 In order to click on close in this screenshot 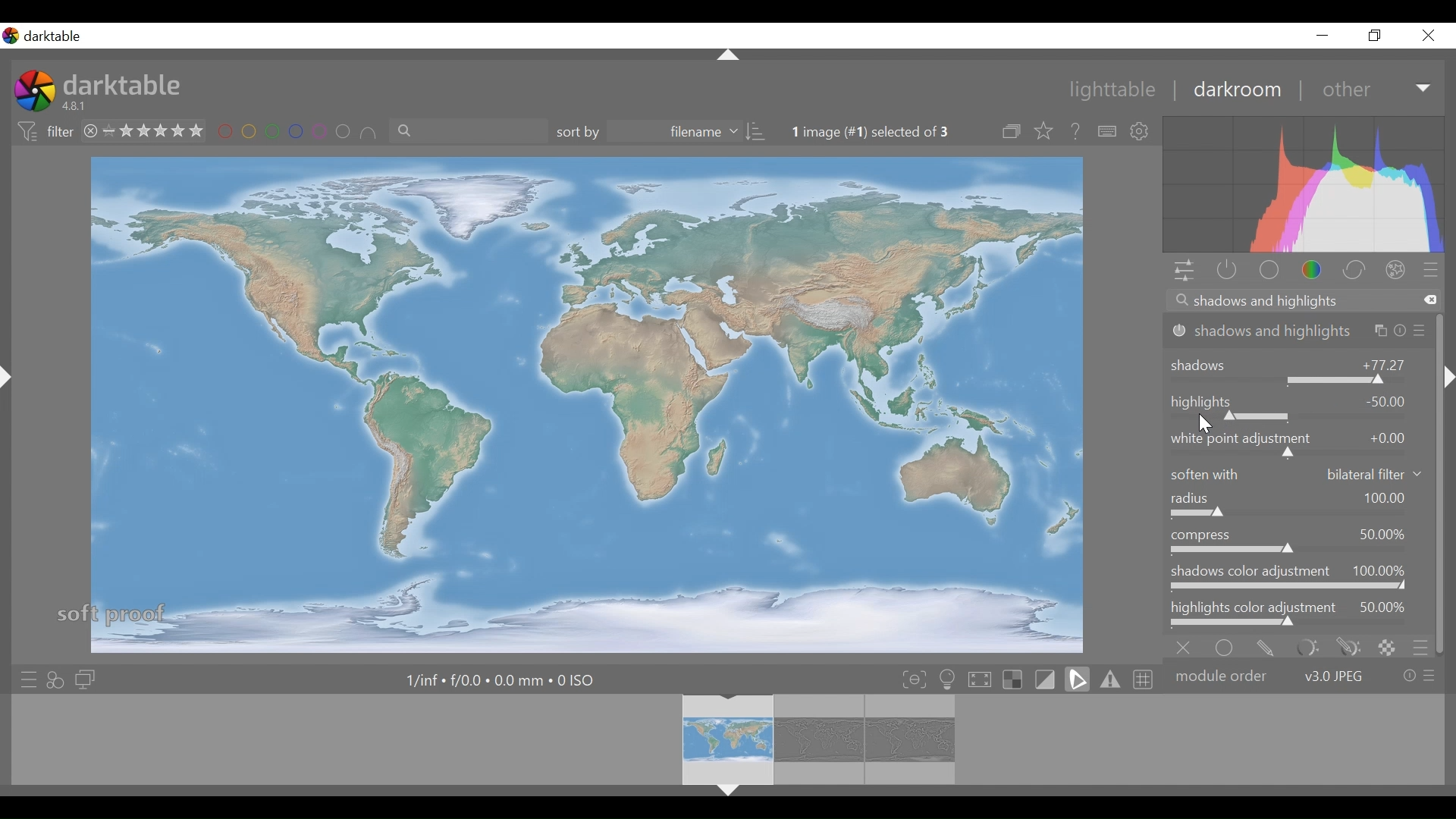, I will do `click(1431, 36)`.